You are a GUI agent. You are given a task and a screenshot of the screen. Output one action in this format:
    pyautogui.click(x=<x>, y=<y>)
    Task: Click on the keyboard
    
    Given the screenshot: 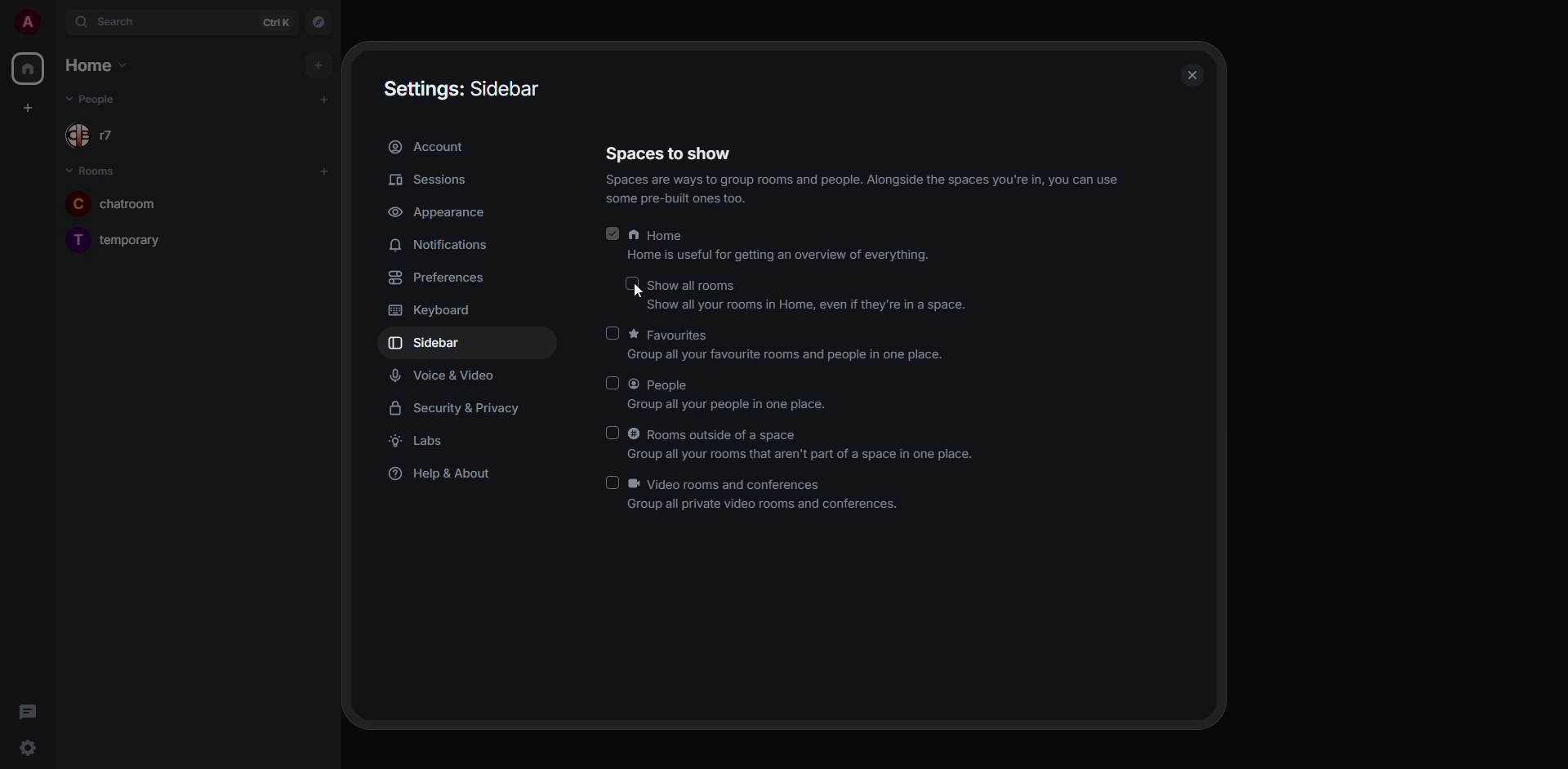 What is the action you would take?
    pyautogui.click(x=433, y=312)
    